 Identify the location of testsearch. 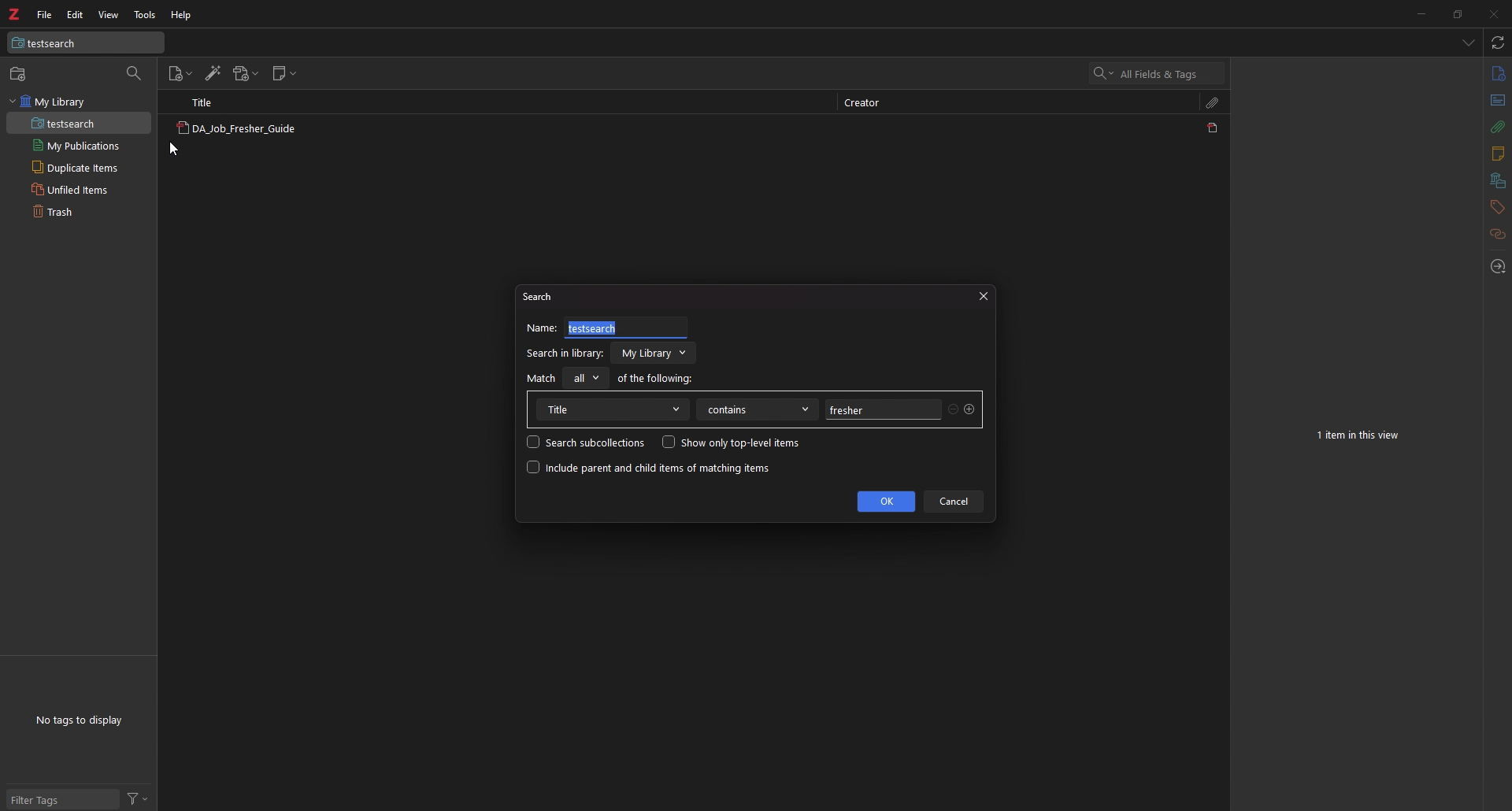
(79, 124).